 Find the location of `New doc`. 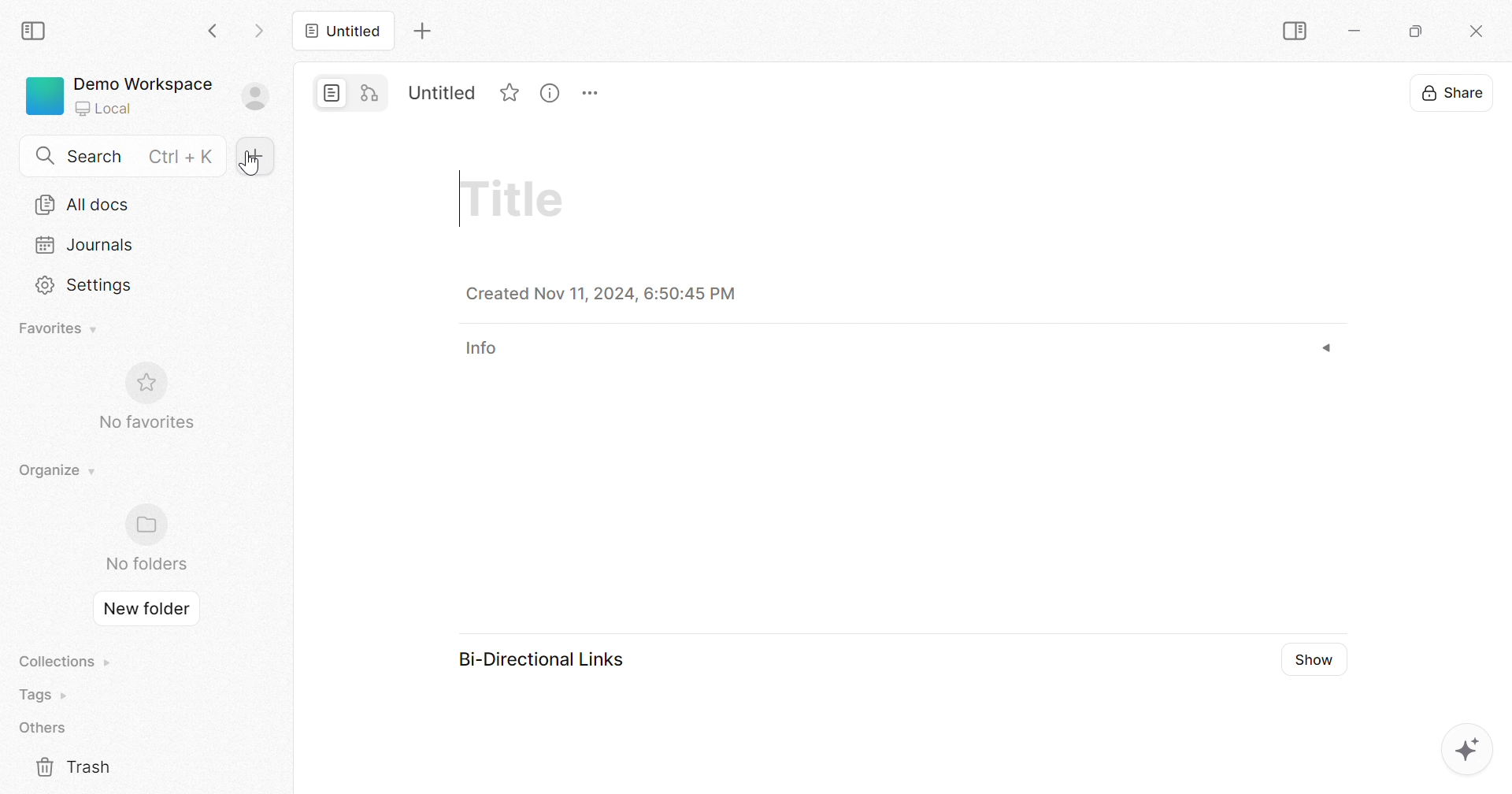

New doc is located at coordinates (259, 157).